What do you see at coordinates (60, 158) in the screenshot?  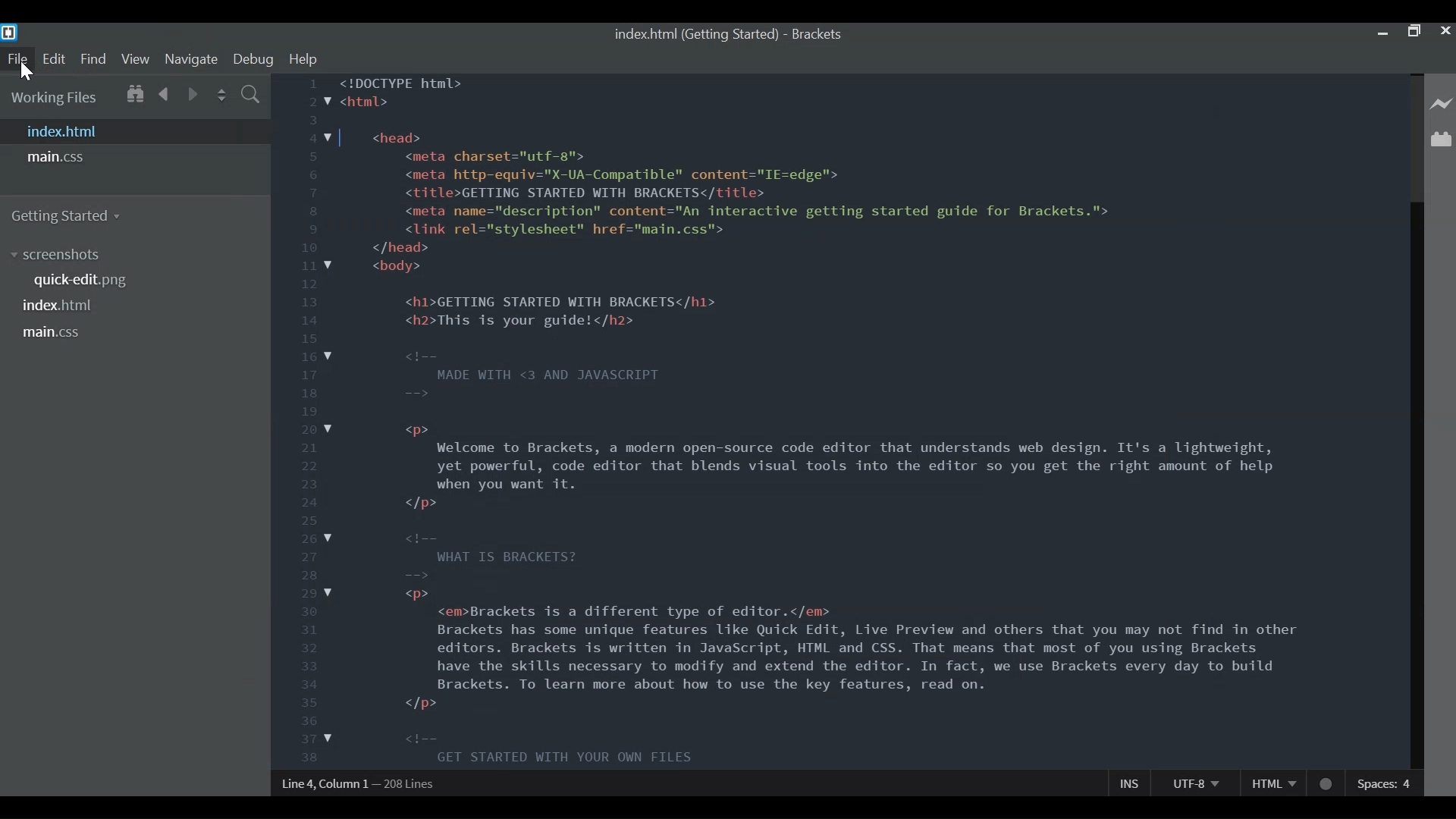 I see `main.css` at bounding box center [60, 158].